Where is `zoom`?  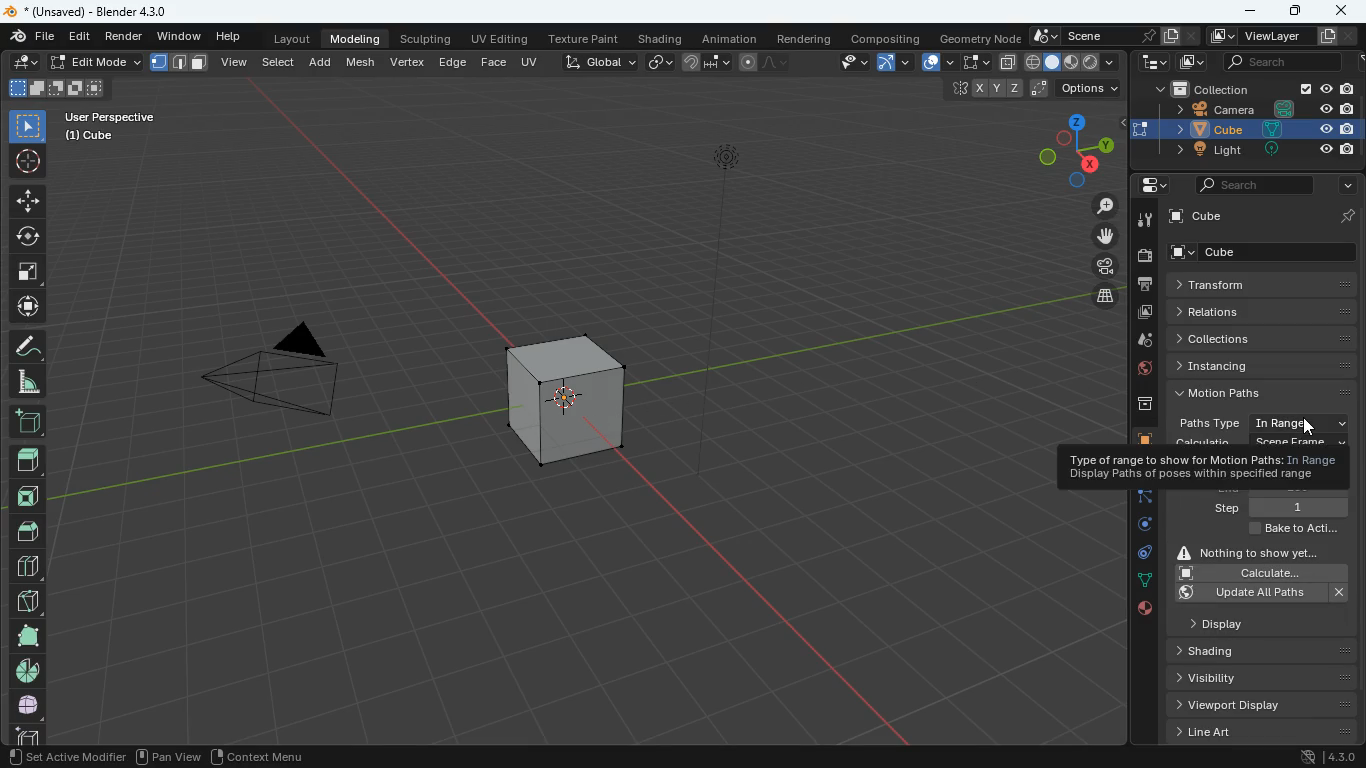
zoom is located at coordinates (1097, 207).